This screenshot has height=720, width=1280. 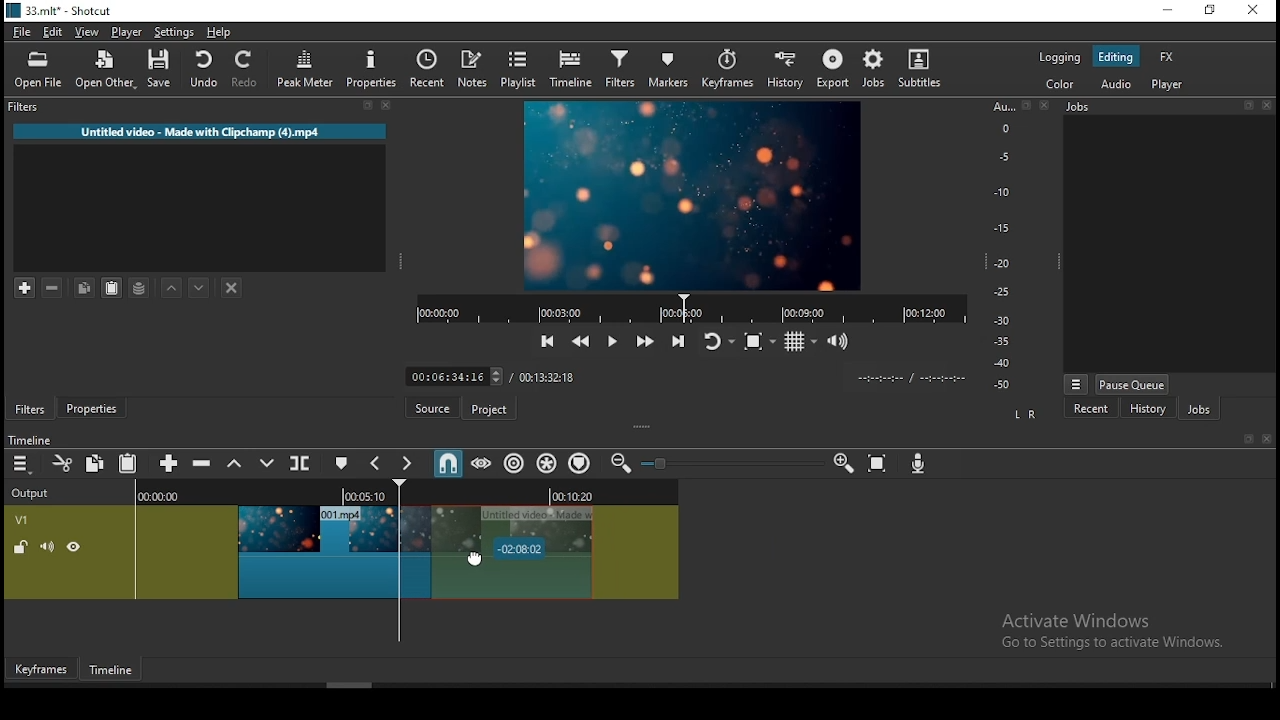 I want to click on ripple delete, so click(x=204, y=463).